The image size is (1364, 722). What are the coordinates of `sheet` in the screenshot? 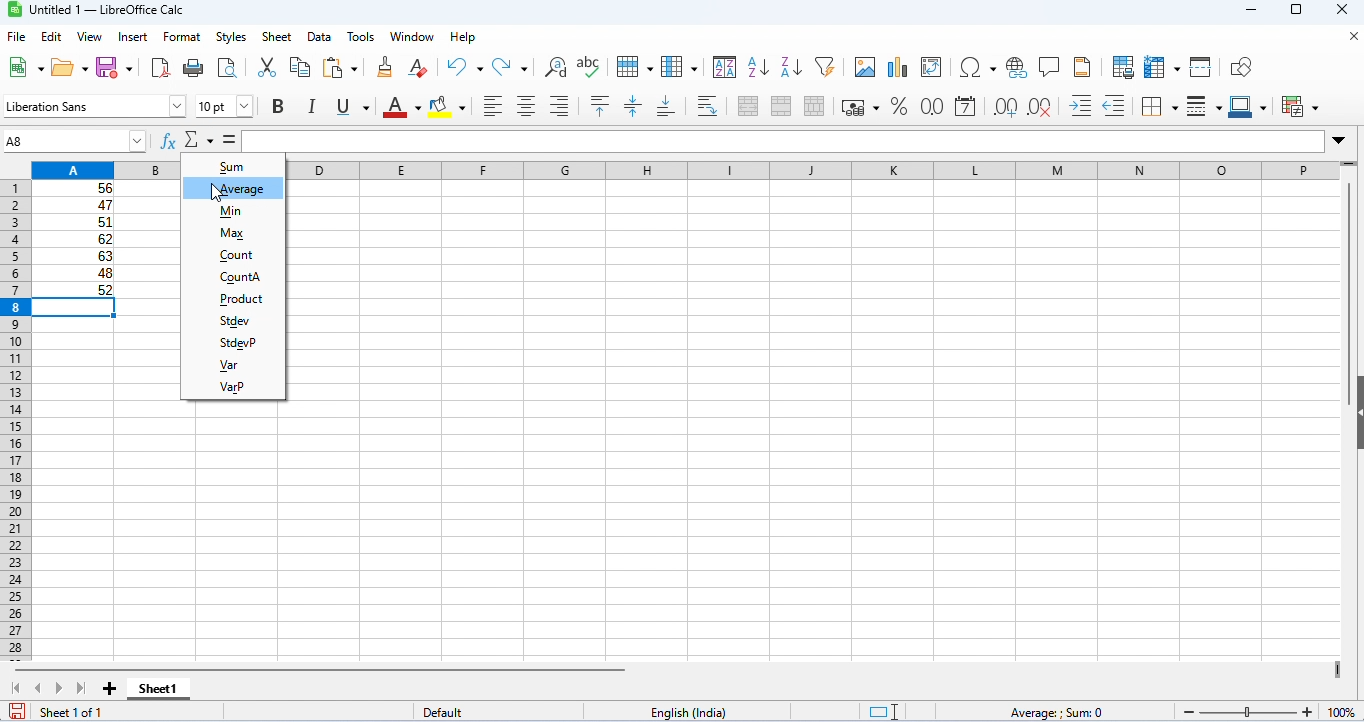 It's located at (277, 37).